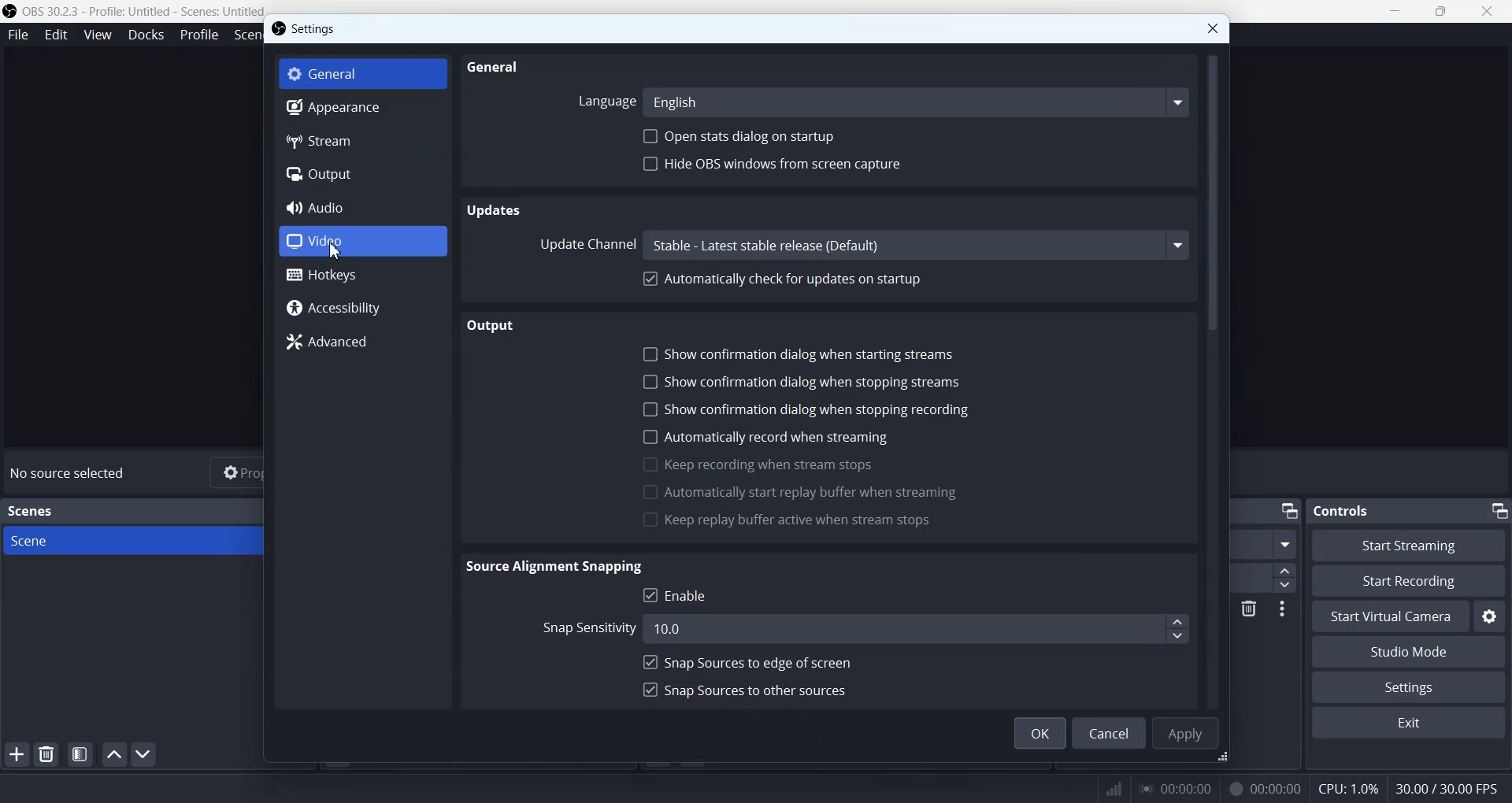 Image resolution: width=1512 pixels, height=803 pixels. What do you see at coordinates (1407, 545) in the screenshot?
I see `Start Streaming` at bounding box center [1407, 545].